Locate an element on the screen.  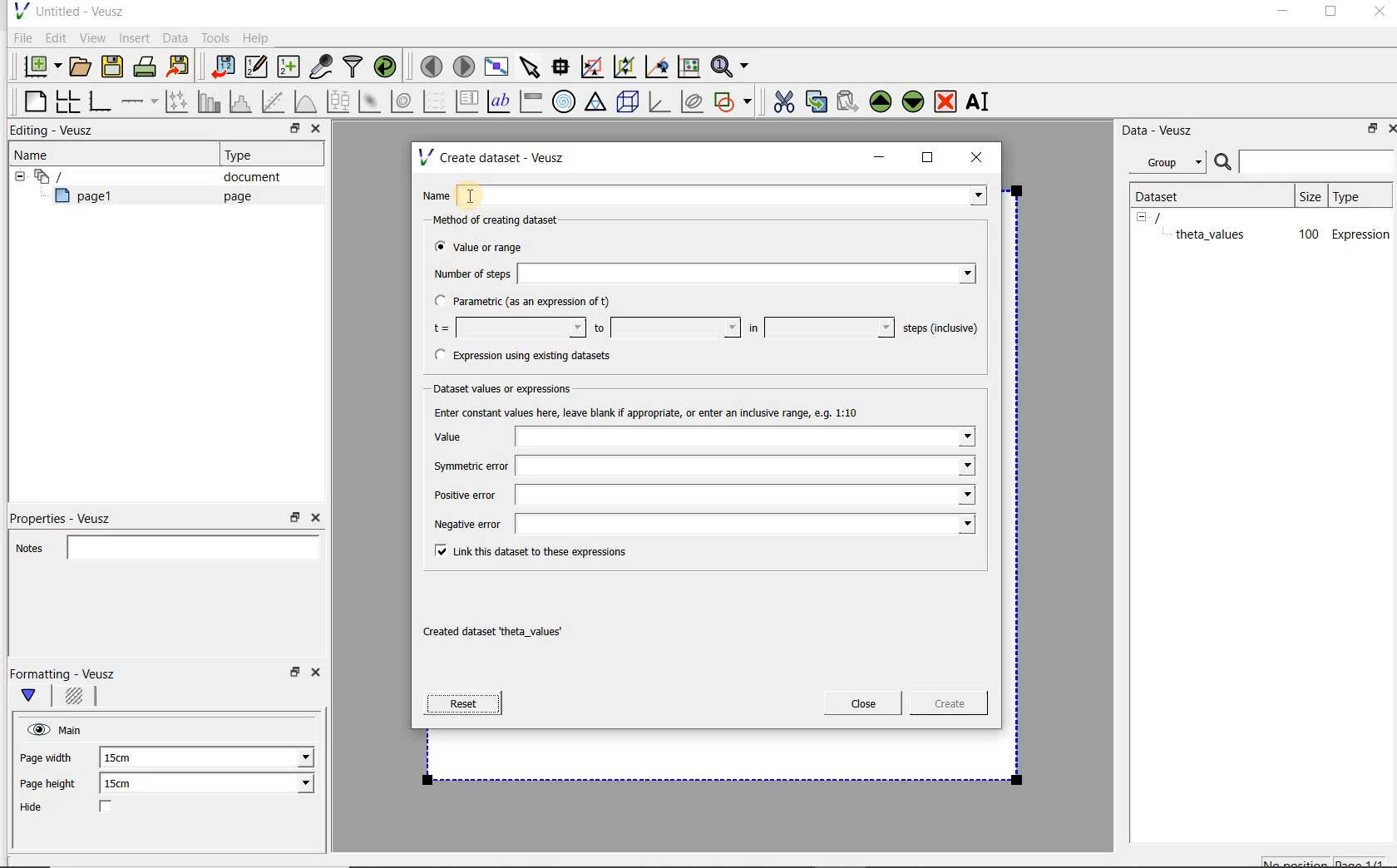
open a document is located at coordinates (82, 65).